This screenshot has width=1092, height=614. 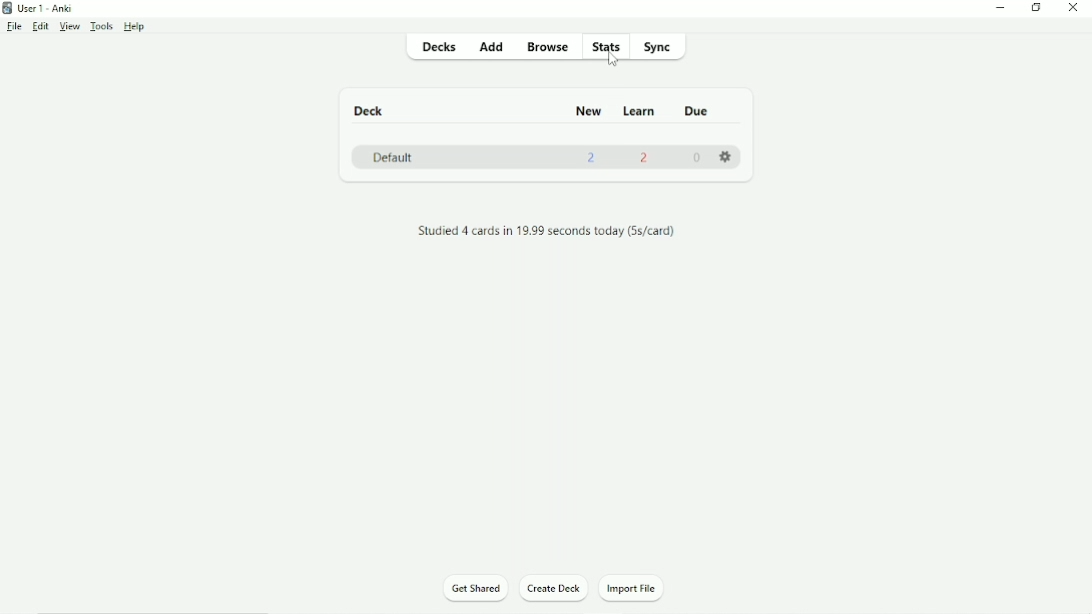 What do you see at coordinates (45, 8) in the screenshot?
I see `User 1 - Anki` at bounding box center [45, 8].